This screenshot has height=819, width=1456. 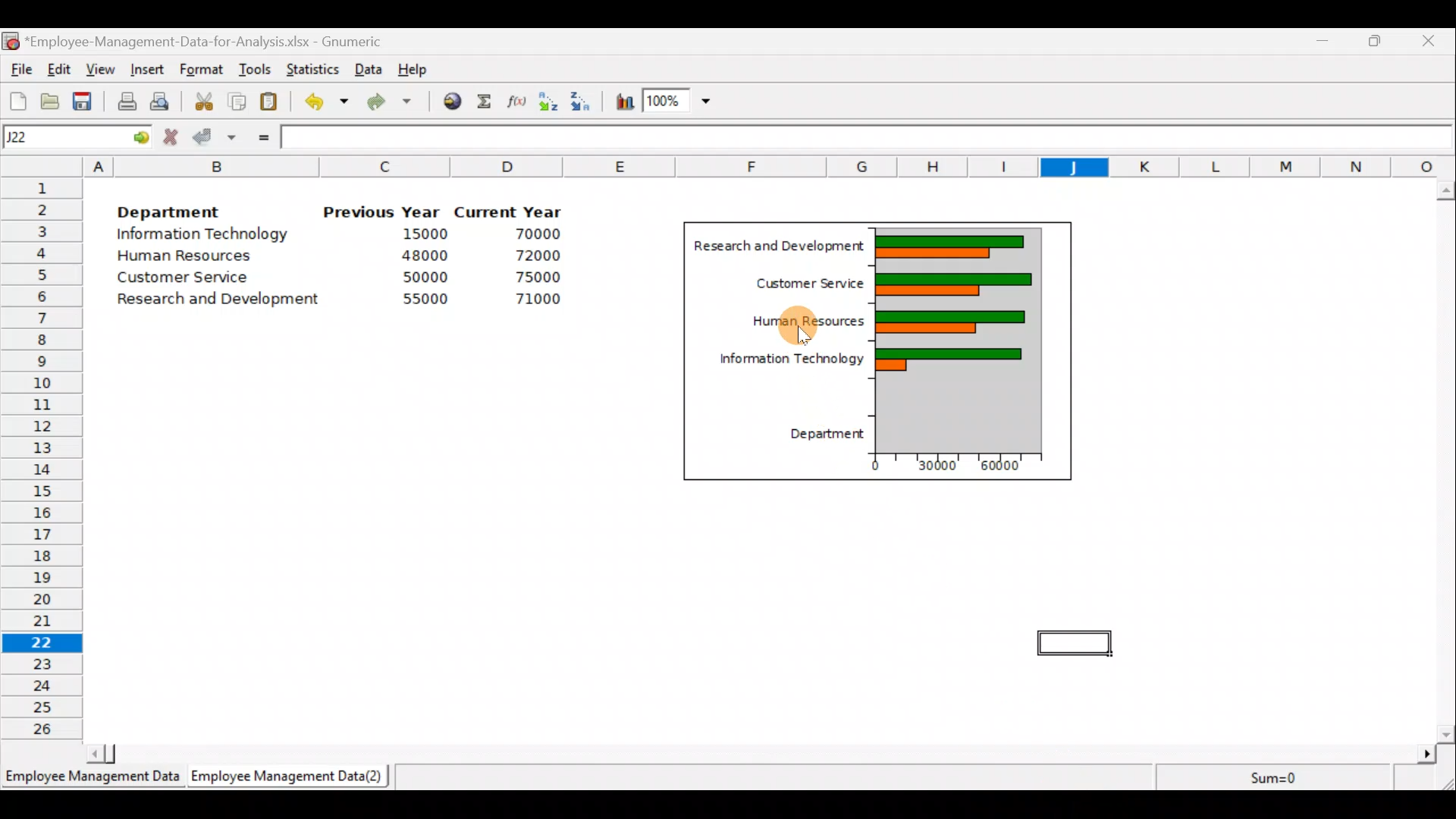 I want to click on Current Year, so click(x=508, y=209).